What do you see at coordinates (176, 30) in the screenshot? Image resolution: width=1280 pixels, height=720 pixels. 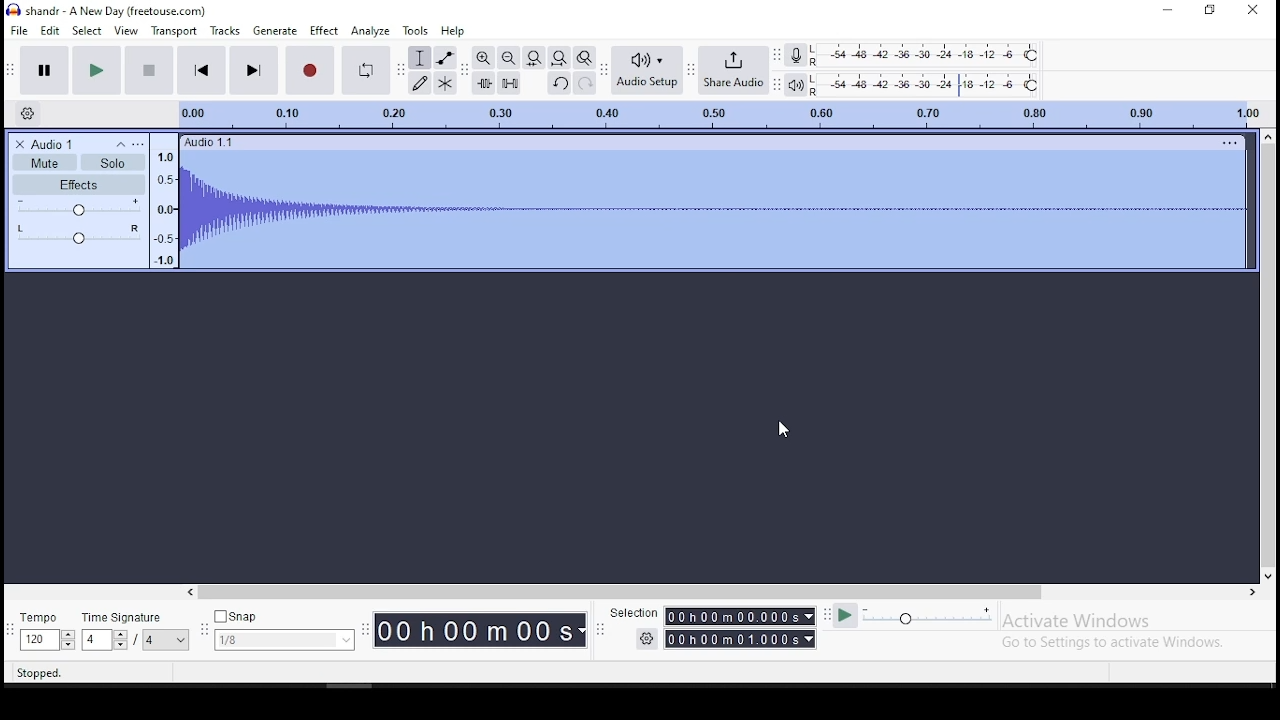 I see `transport` at bounding box center [176, 30].